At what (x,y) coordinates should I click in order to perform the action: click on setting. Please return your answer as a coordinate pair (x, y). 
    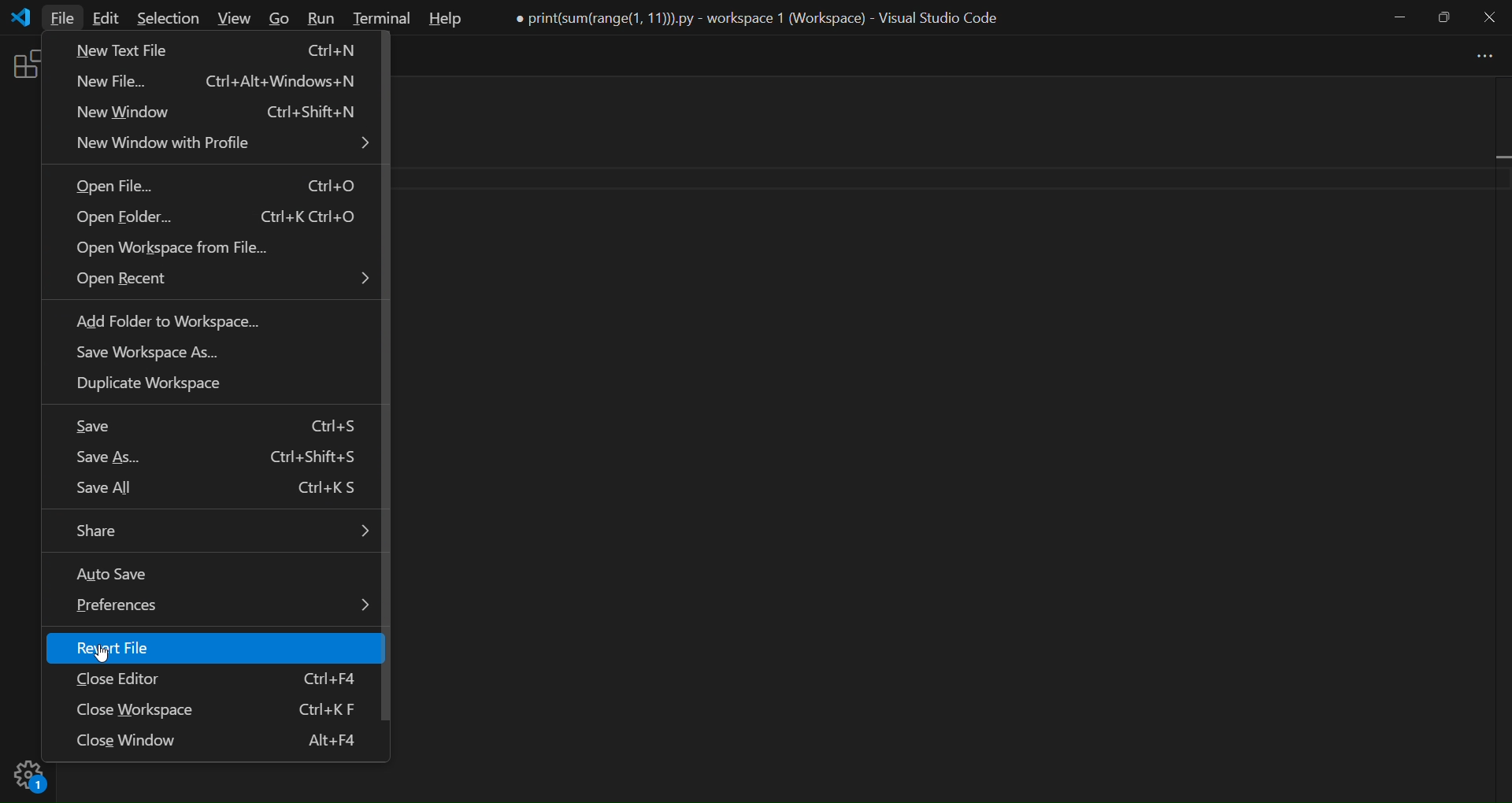
    Looking at the image, I should click on (28, 780).